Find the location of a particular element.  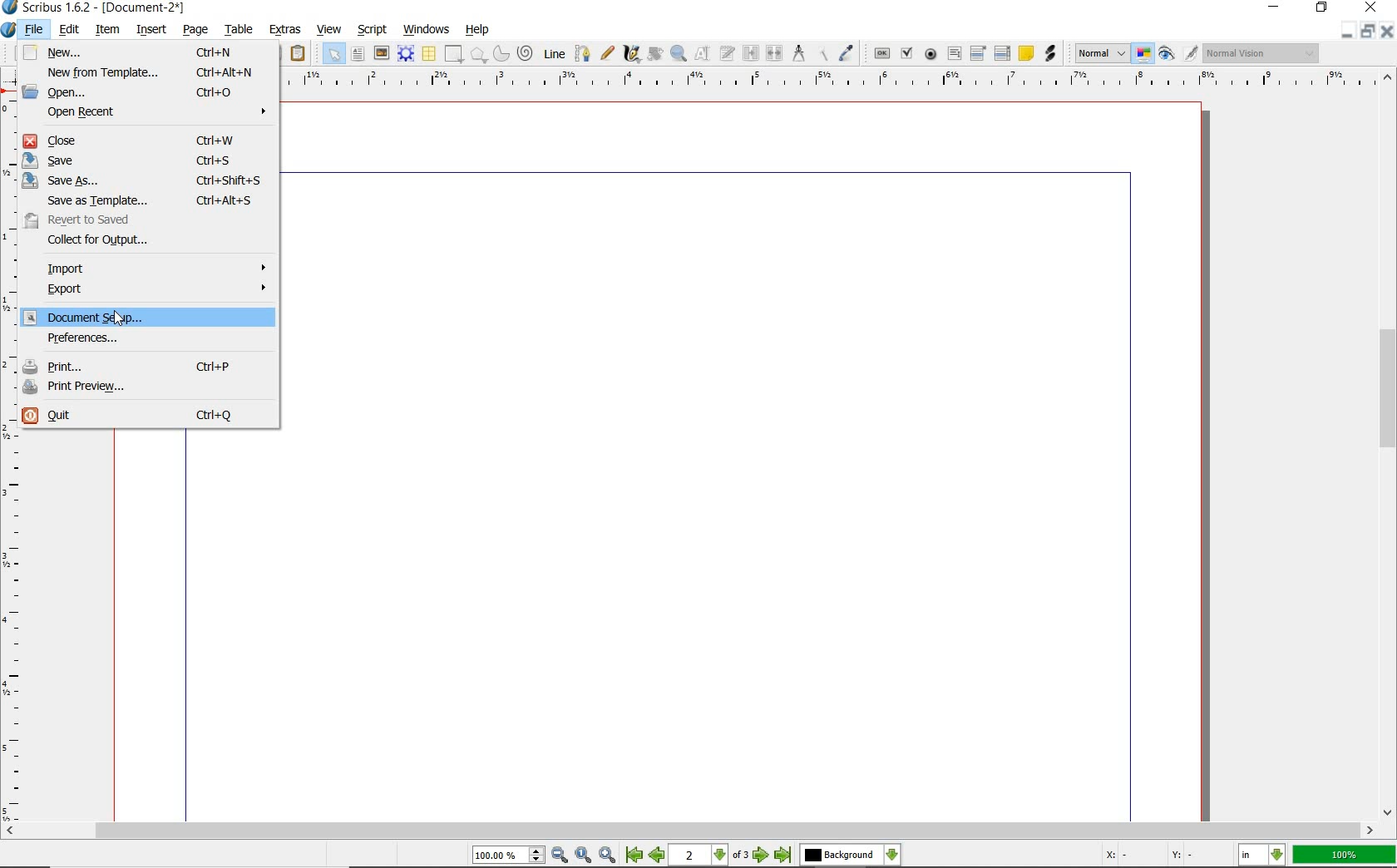

pdf list box is located at coordinates (1003, 54).